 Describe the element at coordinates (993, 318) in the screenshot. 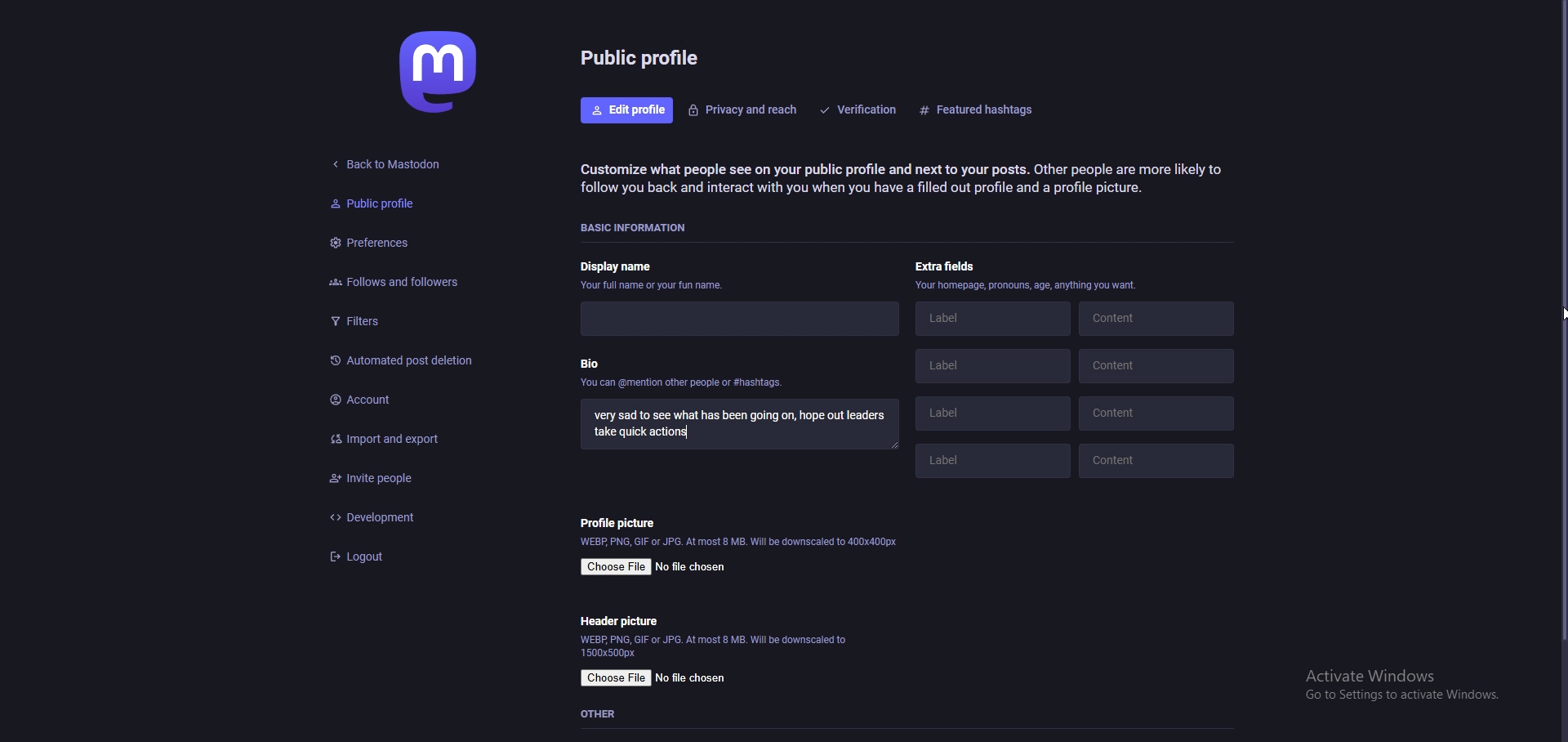

I see `label` at that location.